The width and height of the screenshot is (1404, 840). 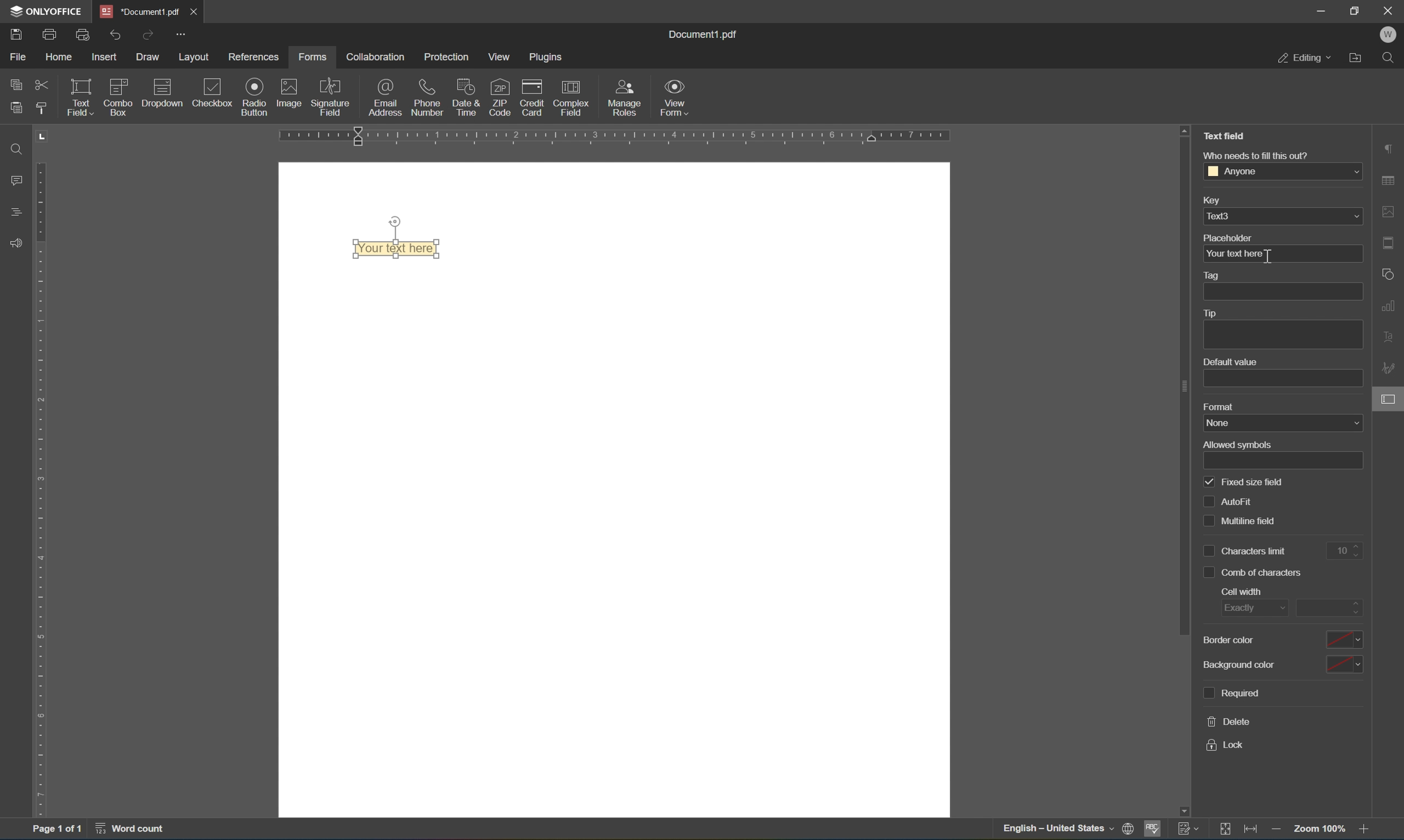 I want to click on fixed size field, so click(x=1245, y=482).